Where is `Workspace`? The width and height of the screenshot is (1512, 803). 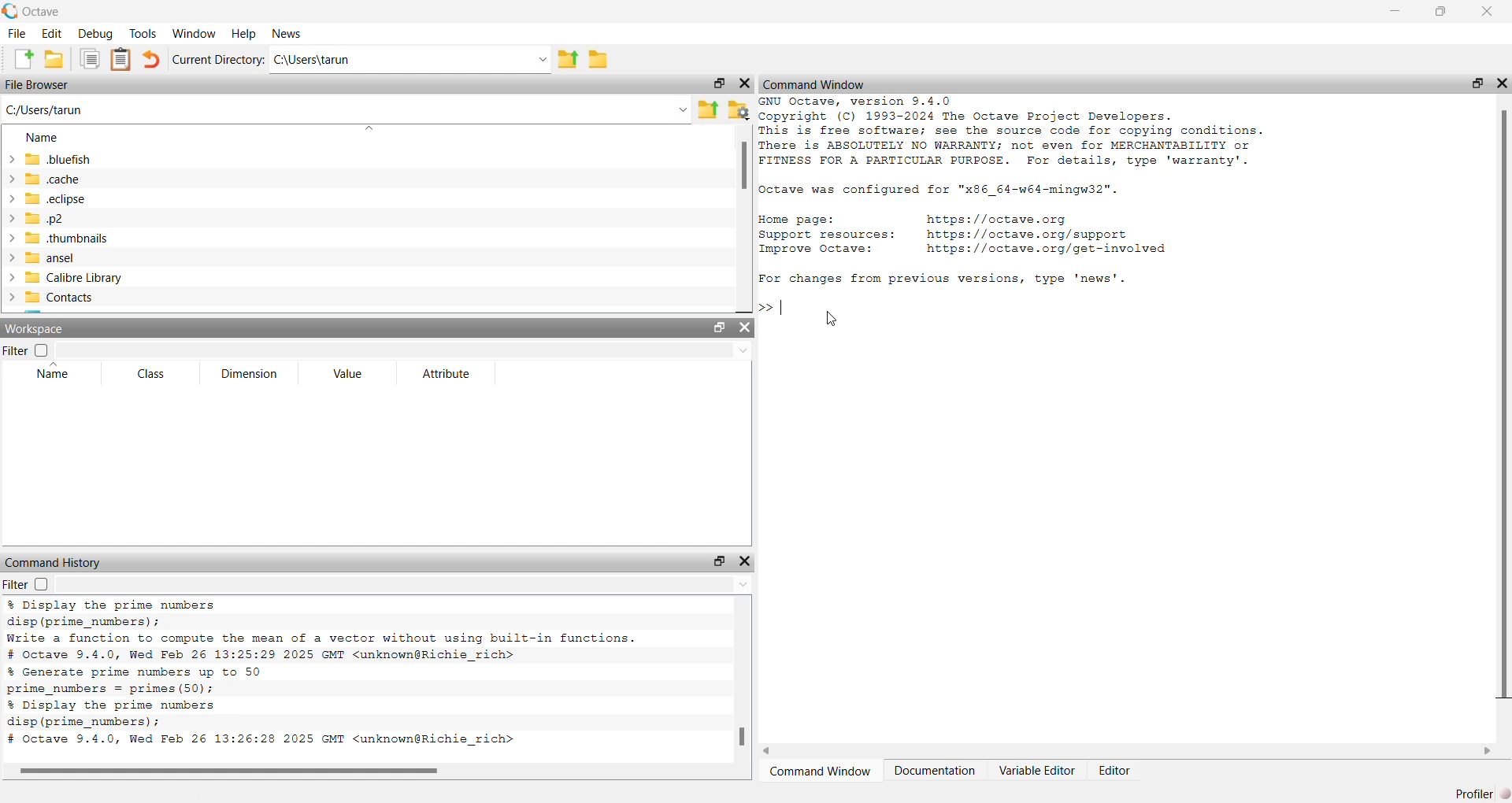 Workspace is located at coordinates (35, 328).